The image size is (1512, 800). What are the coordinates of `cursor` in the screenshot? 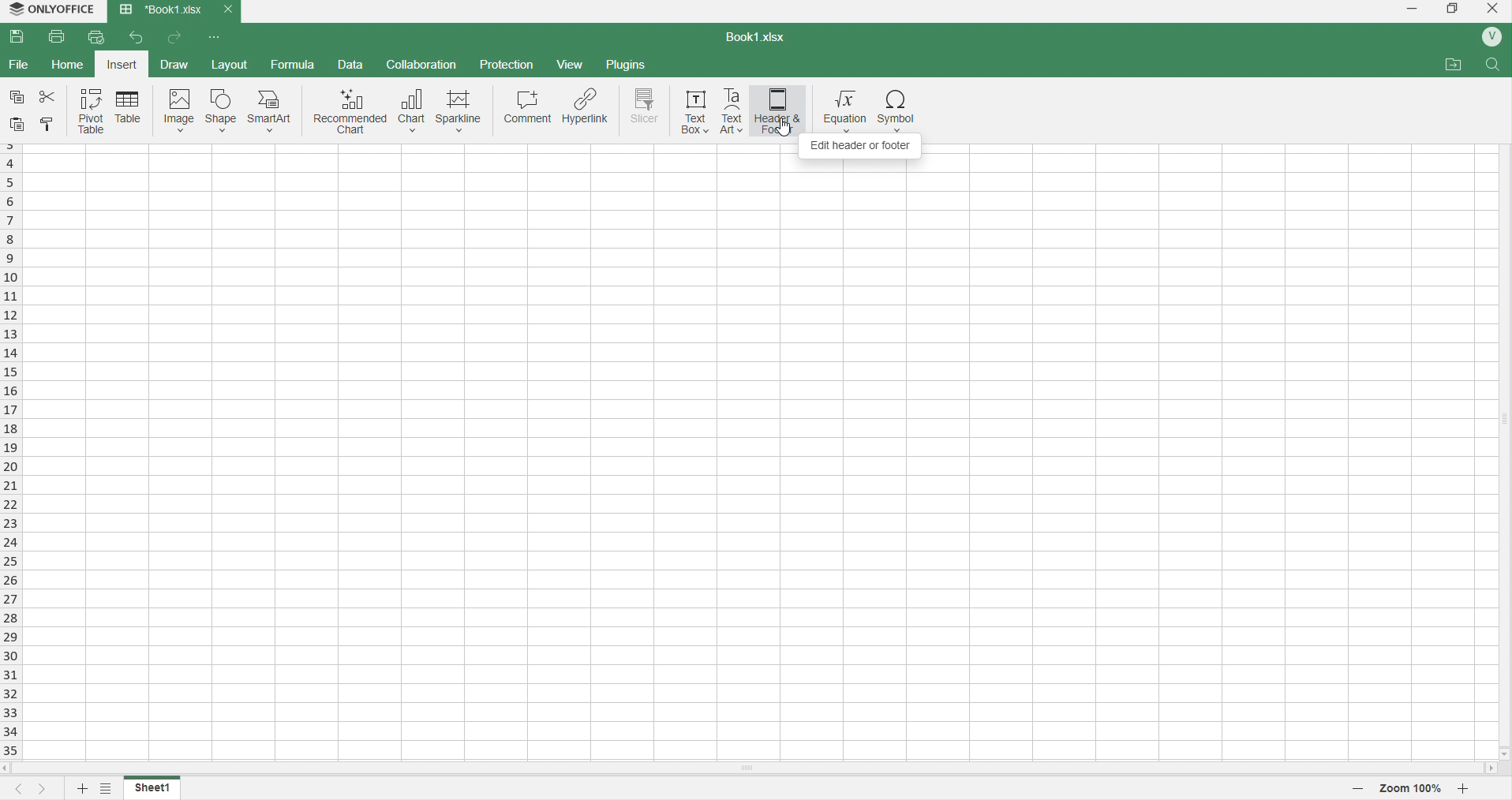 It's located at (785, 129).